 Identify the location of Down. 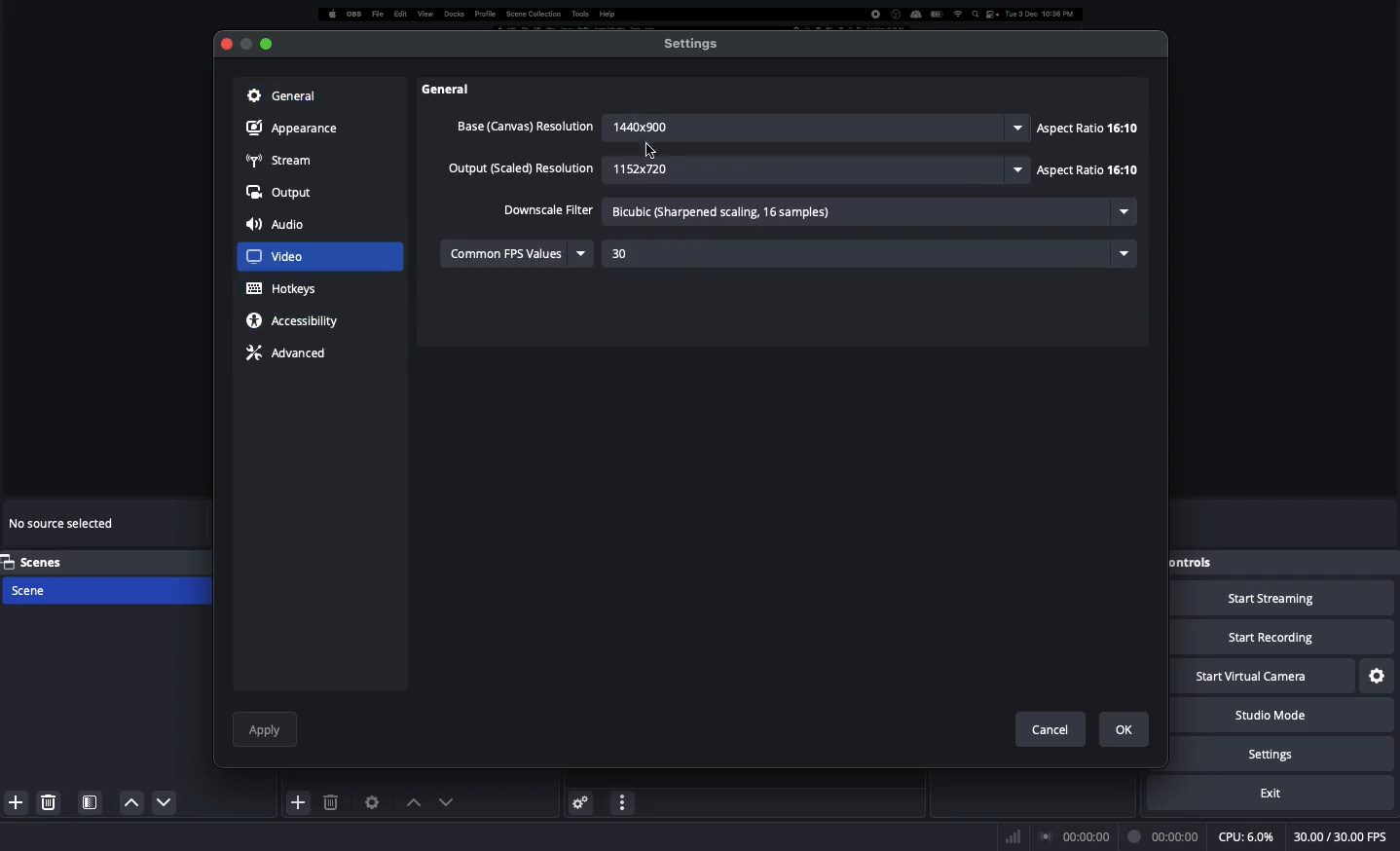
(127, 802).